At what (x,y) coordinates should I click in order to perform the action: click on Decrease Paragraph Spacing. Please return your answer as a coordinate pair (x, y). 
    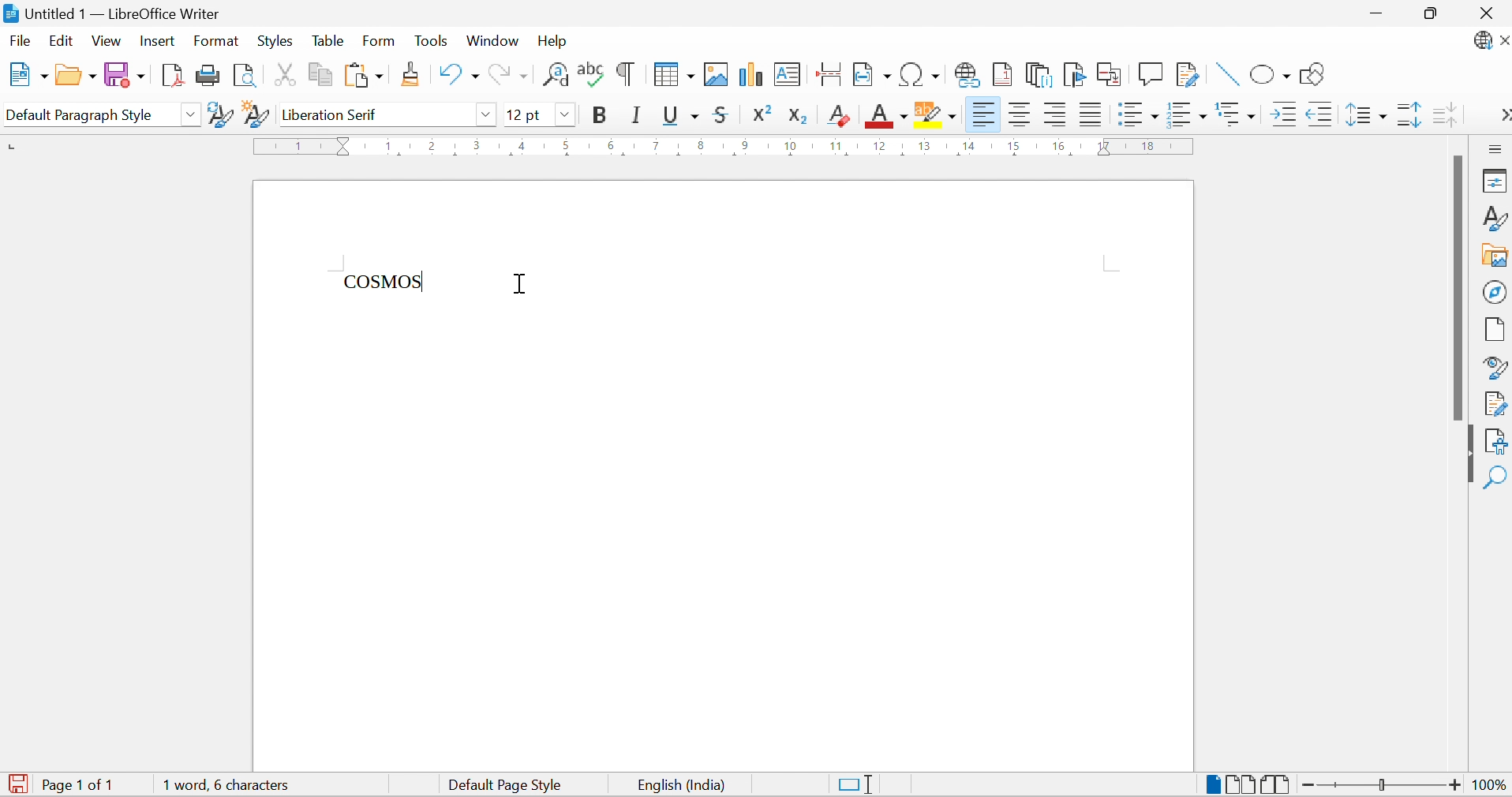
    Looking at the image, I should click on (1444, 114).